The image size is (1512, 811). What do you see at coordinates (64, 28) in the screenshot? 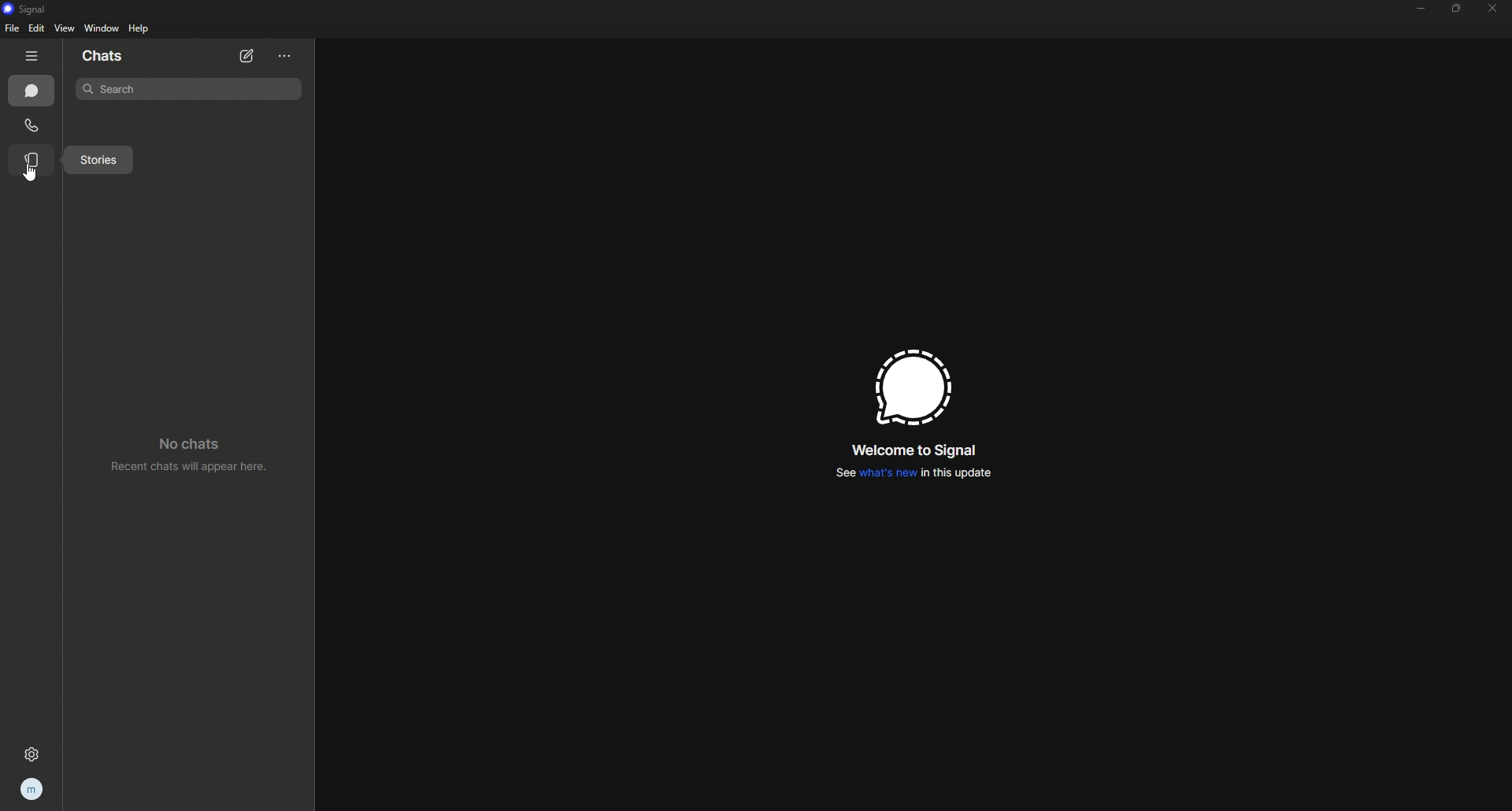
I see `view` at bounding box center [64, 28].